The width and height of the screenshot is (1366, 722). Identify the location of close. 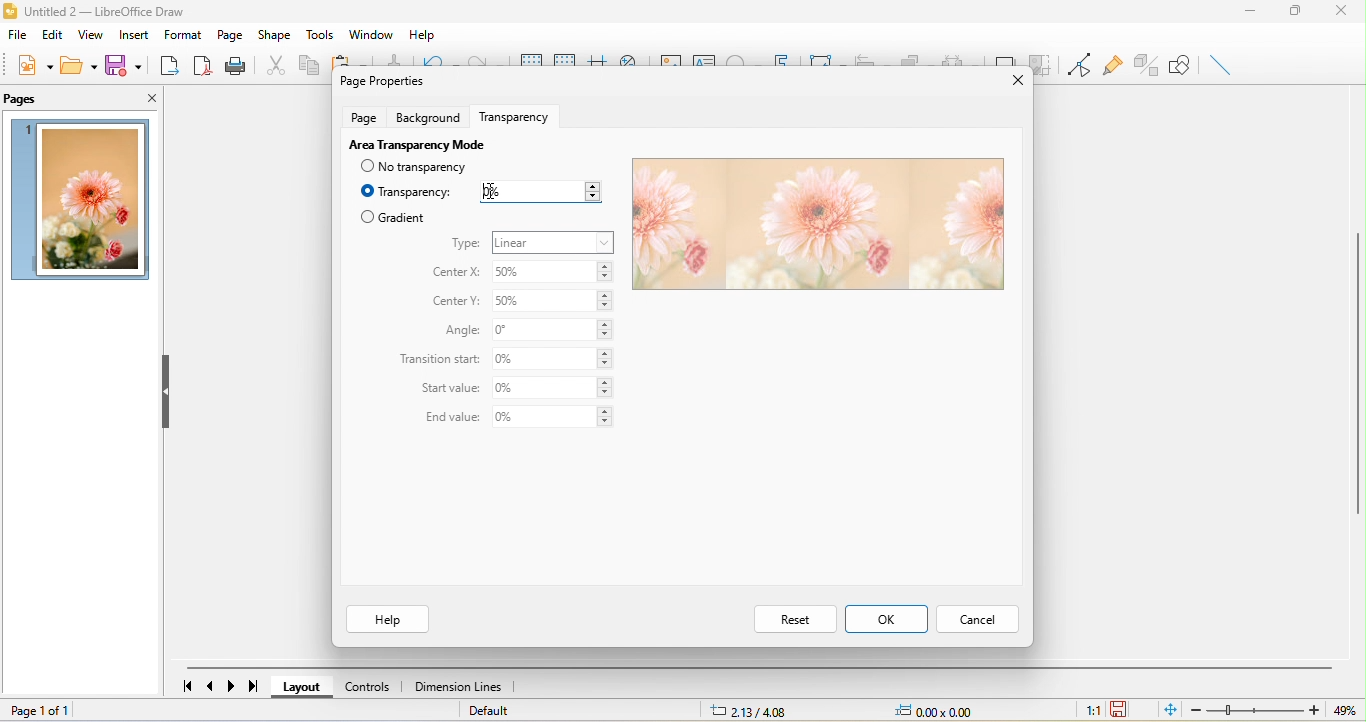
(1346, 14).